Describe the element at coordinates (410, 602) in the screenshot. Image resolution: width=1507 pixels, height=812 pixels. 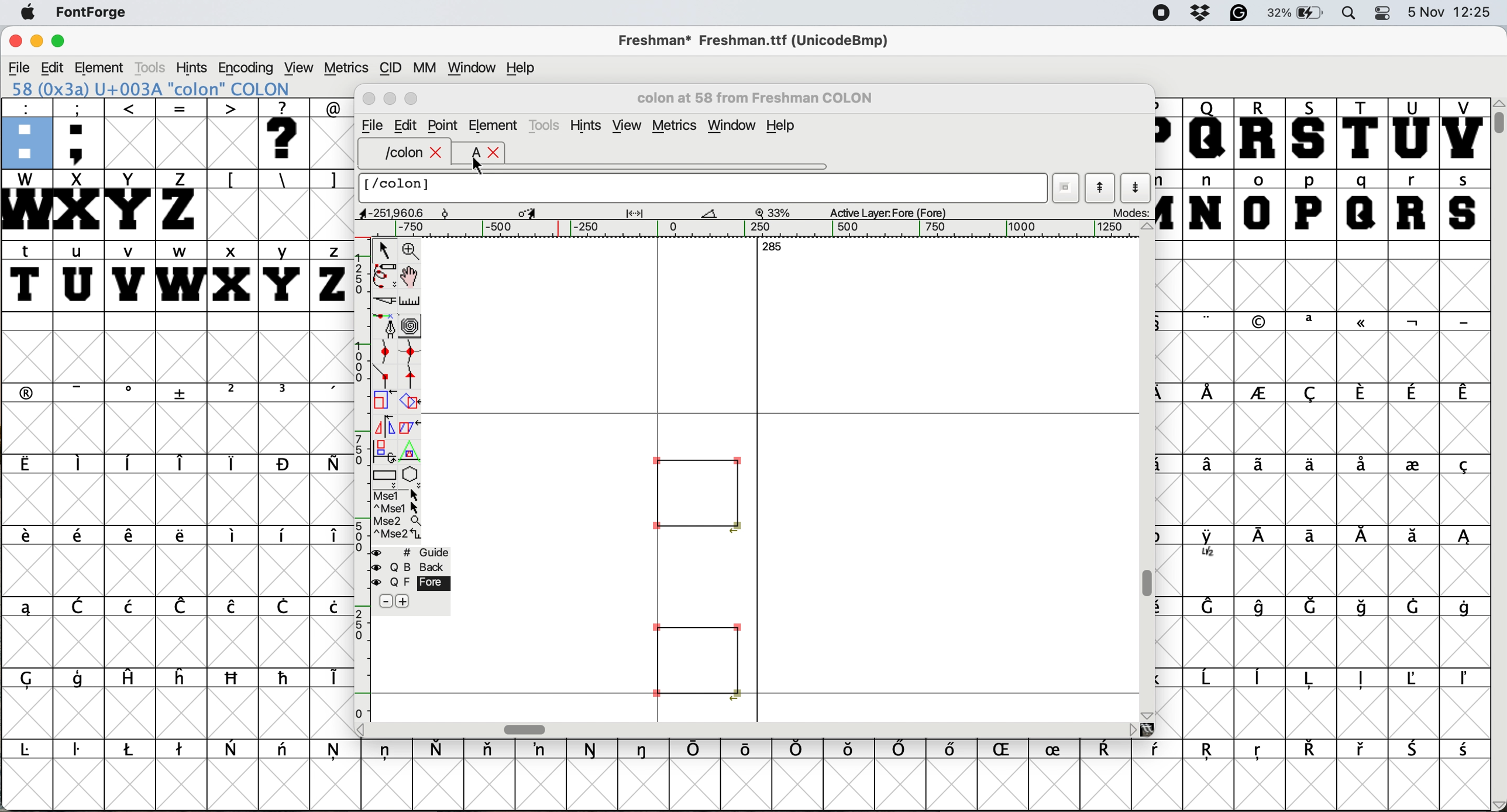
I see `add` at that location.